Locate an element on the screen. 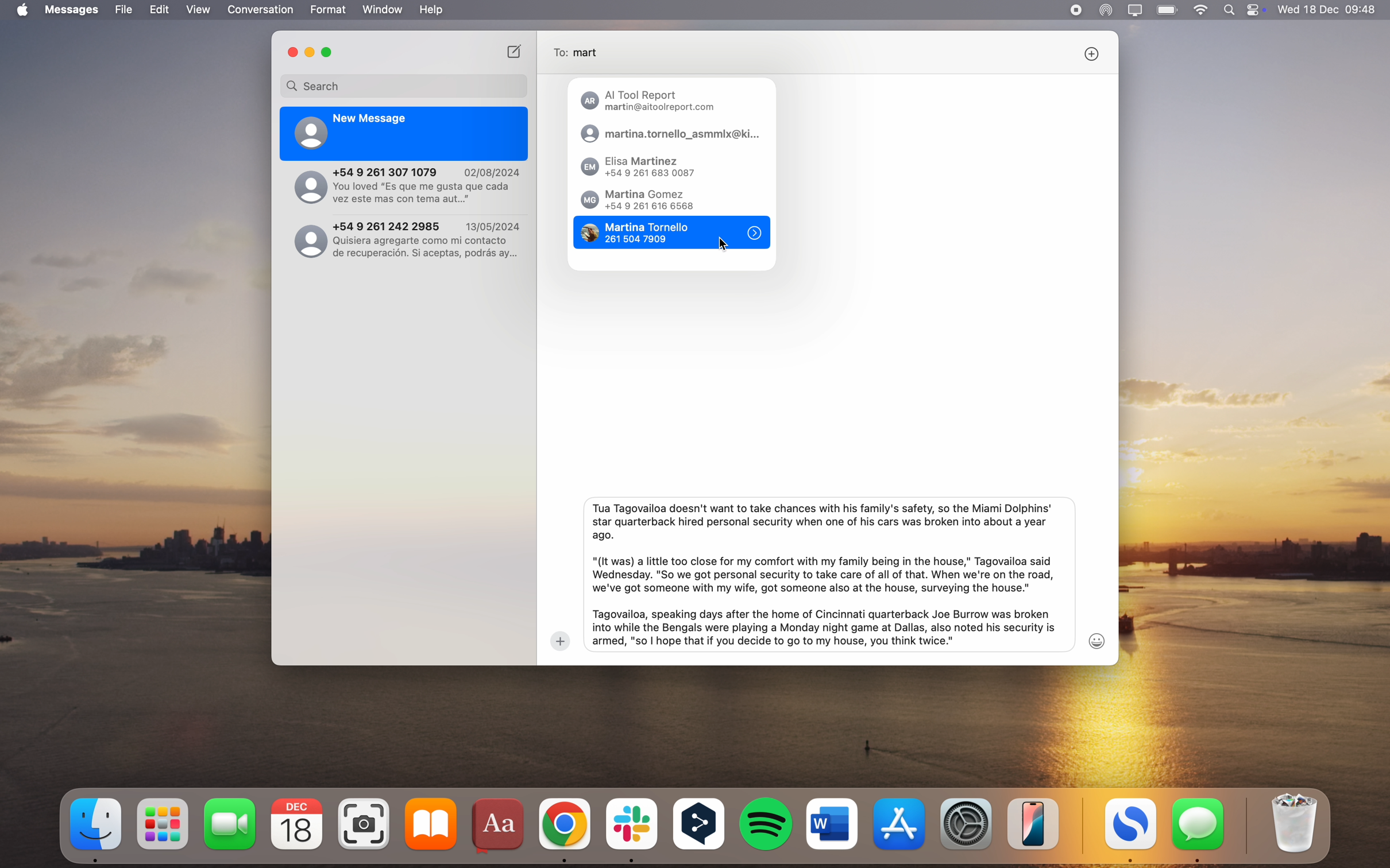 The image size is (1390, 868). conversation is located at coordinates (261, 10).